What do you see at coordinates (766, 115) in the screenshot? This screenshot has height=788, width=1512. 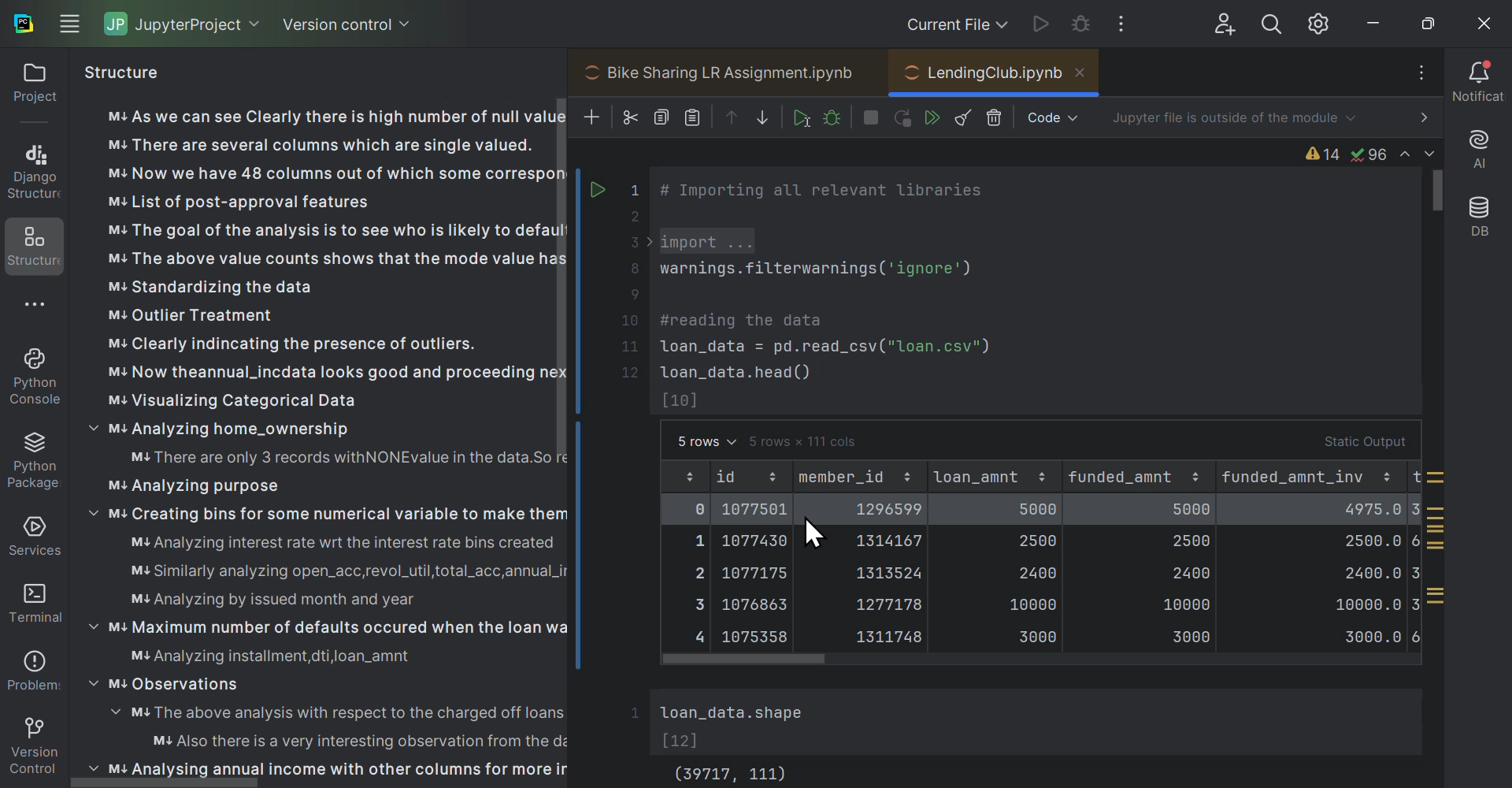 I see `Move down` at bounding box center [766, 115].